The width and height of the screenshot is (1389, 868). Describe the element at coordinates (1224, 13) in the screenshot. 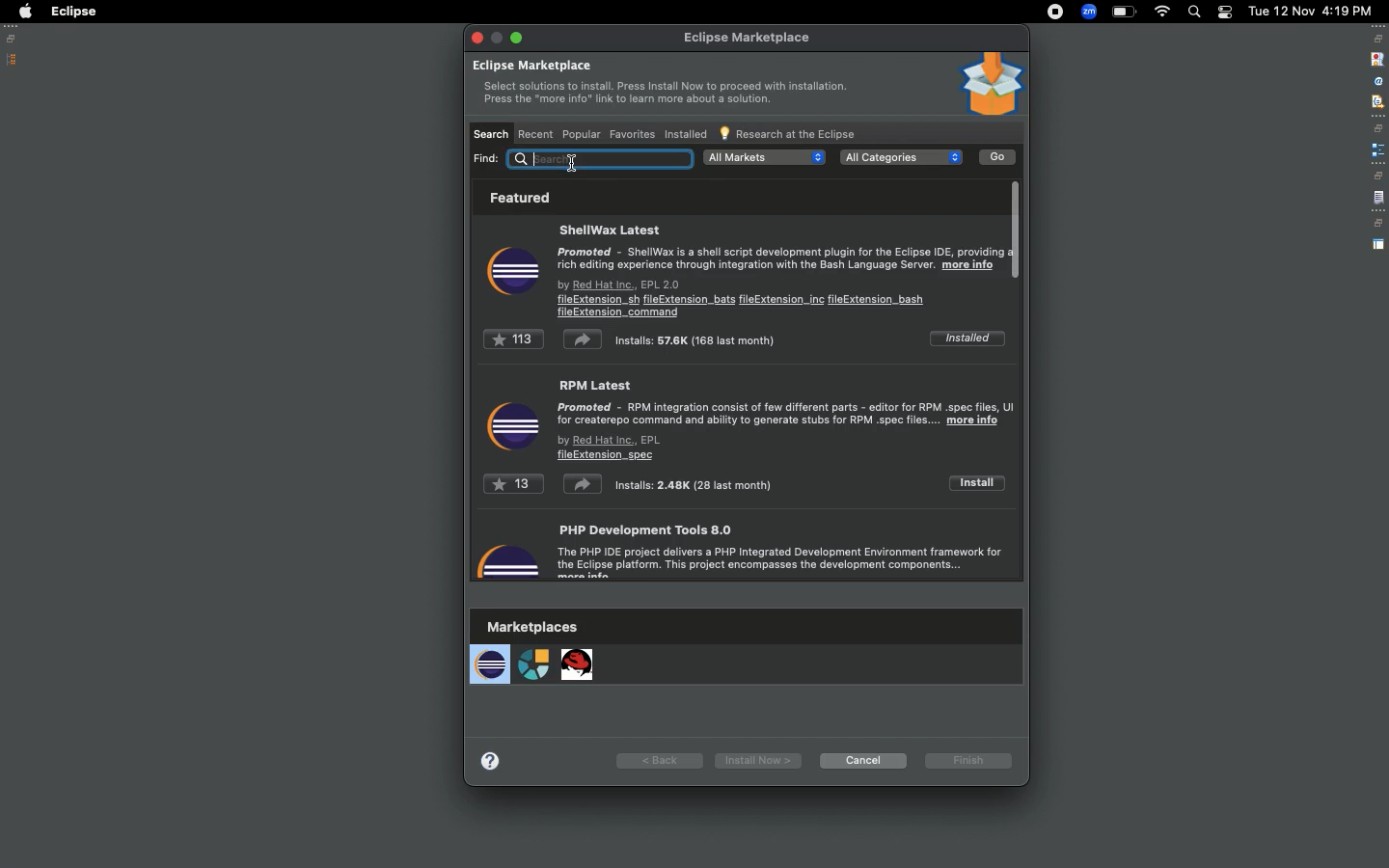

I see `Notification` at that location.